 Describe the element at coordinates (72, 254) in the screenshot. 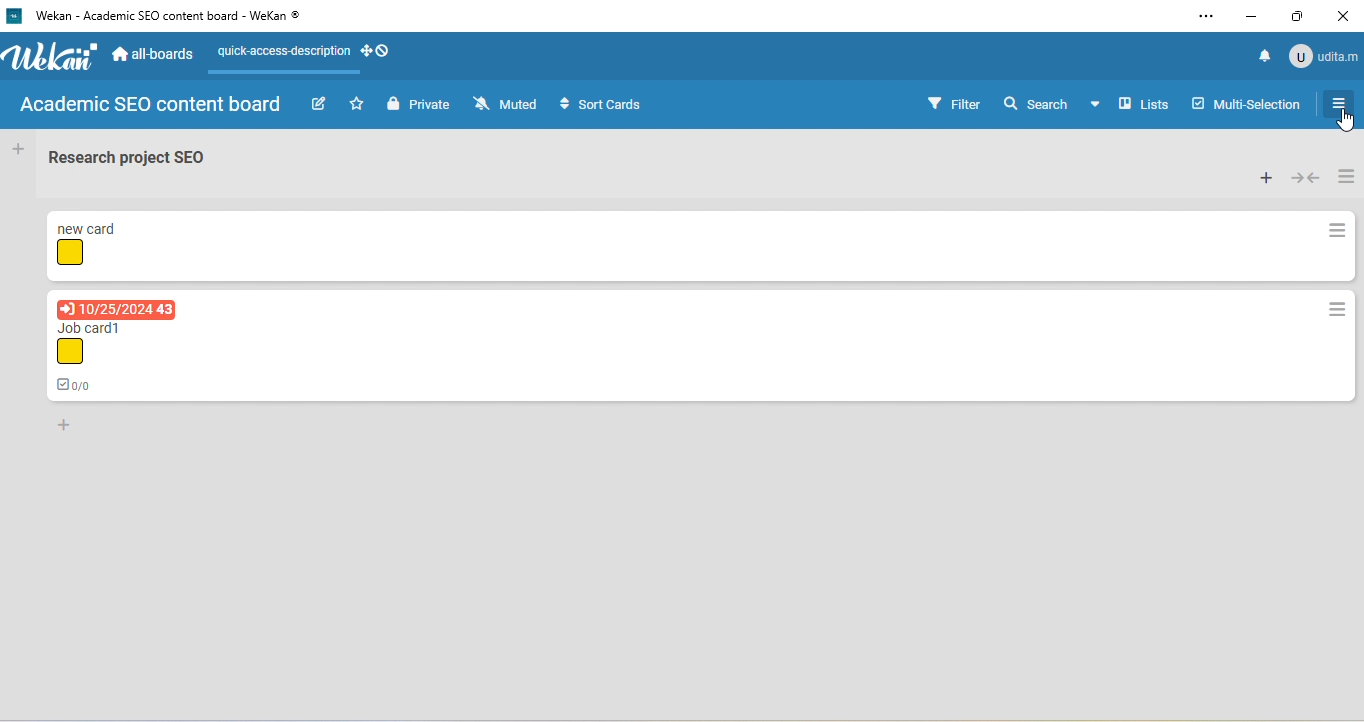

I see `yellow shape` at that location.